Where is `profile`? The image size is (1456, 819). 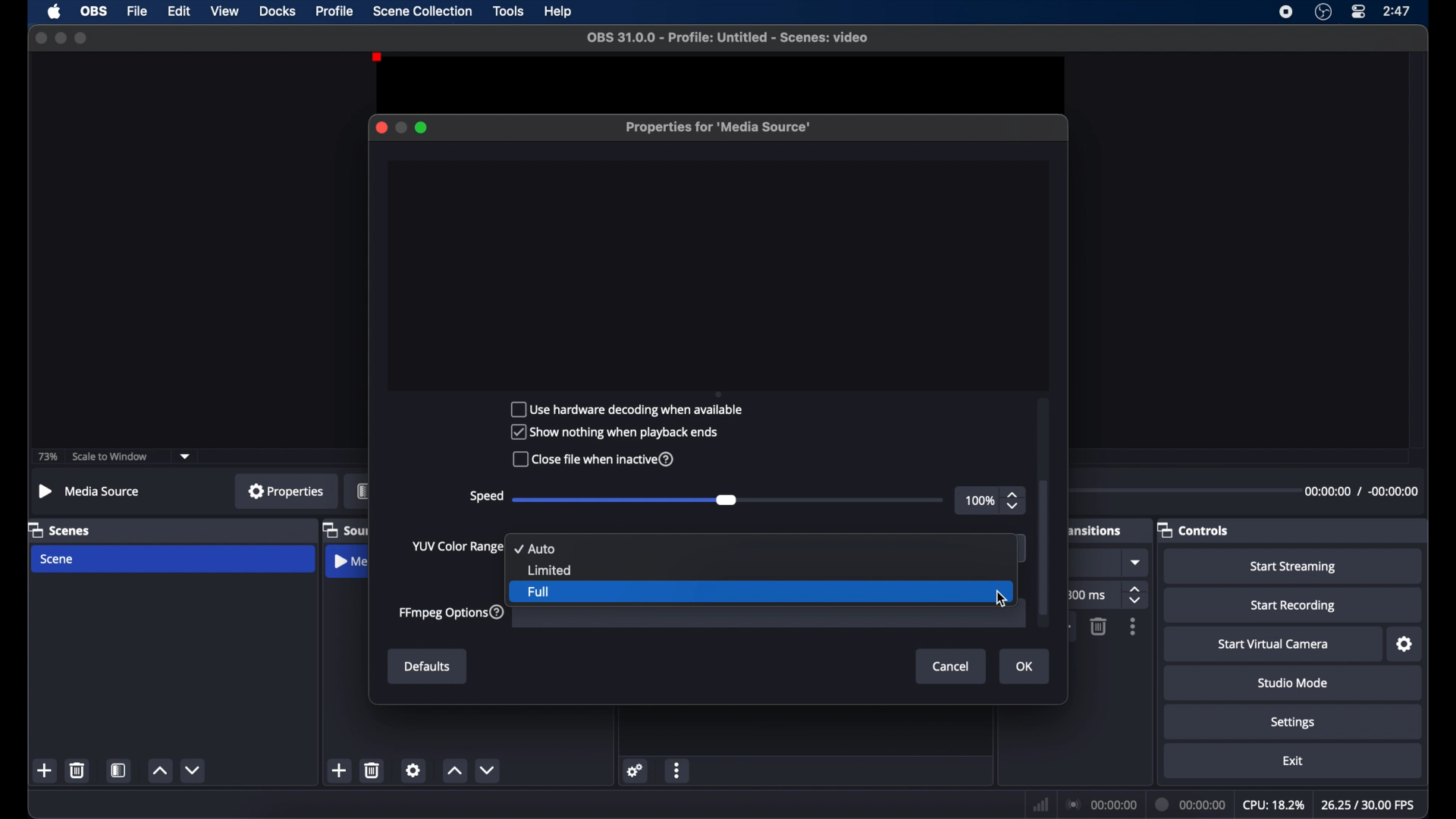
profile is located at coordinates (335, 11).